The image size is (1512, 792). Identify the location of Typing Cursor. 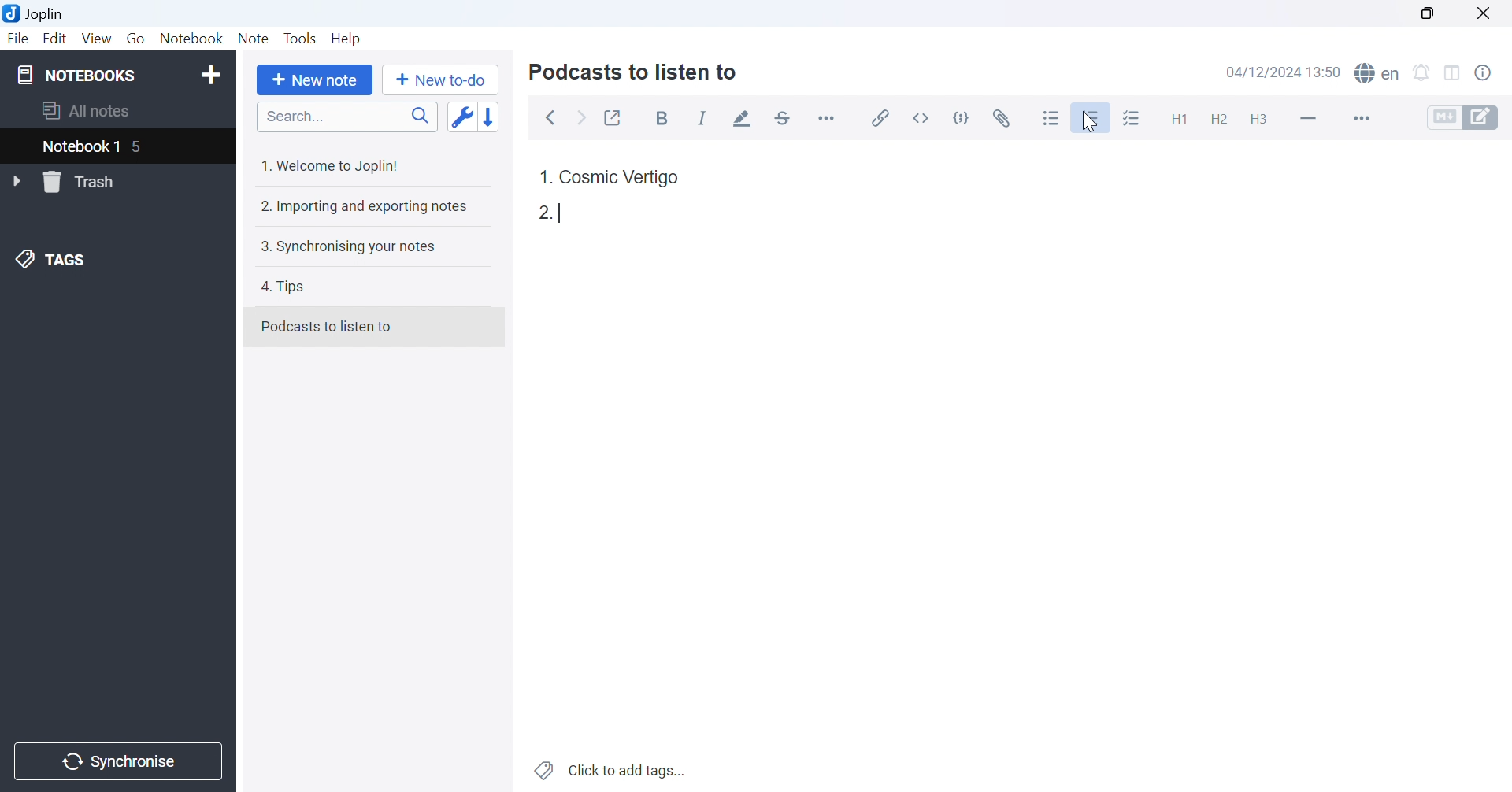
(564, 212).